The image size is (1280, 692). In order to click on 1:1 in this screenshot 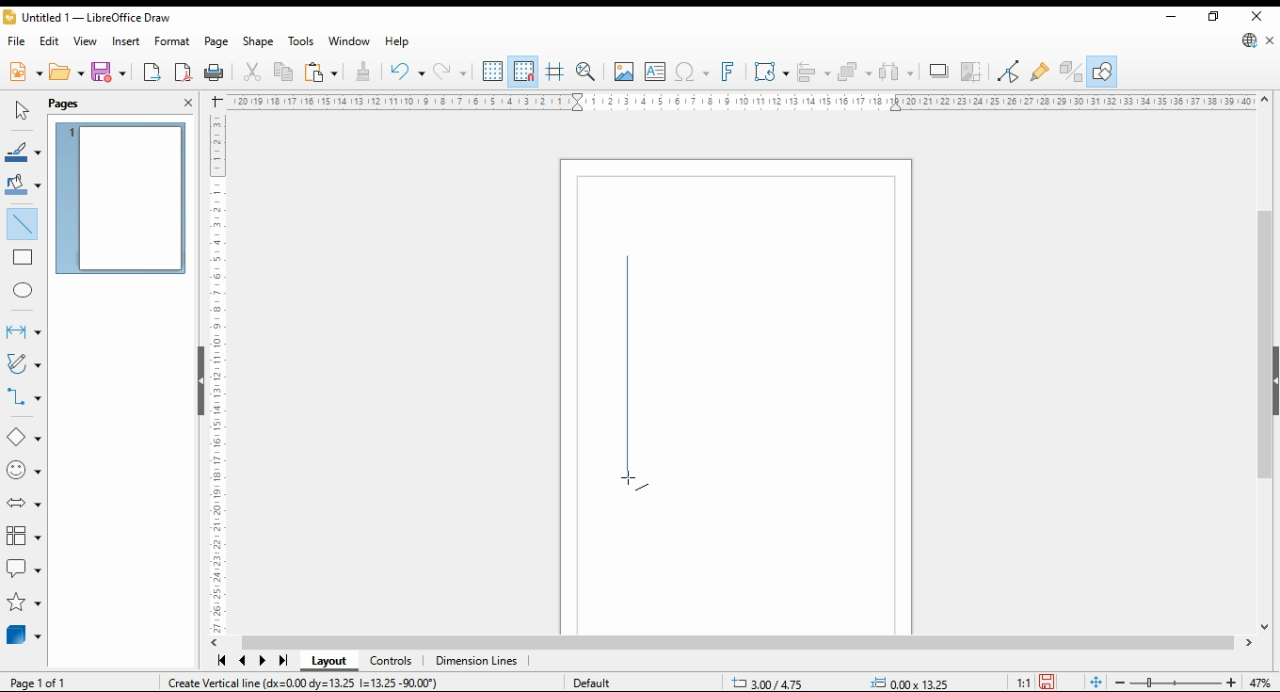, I will do `click(1024, 682)`.